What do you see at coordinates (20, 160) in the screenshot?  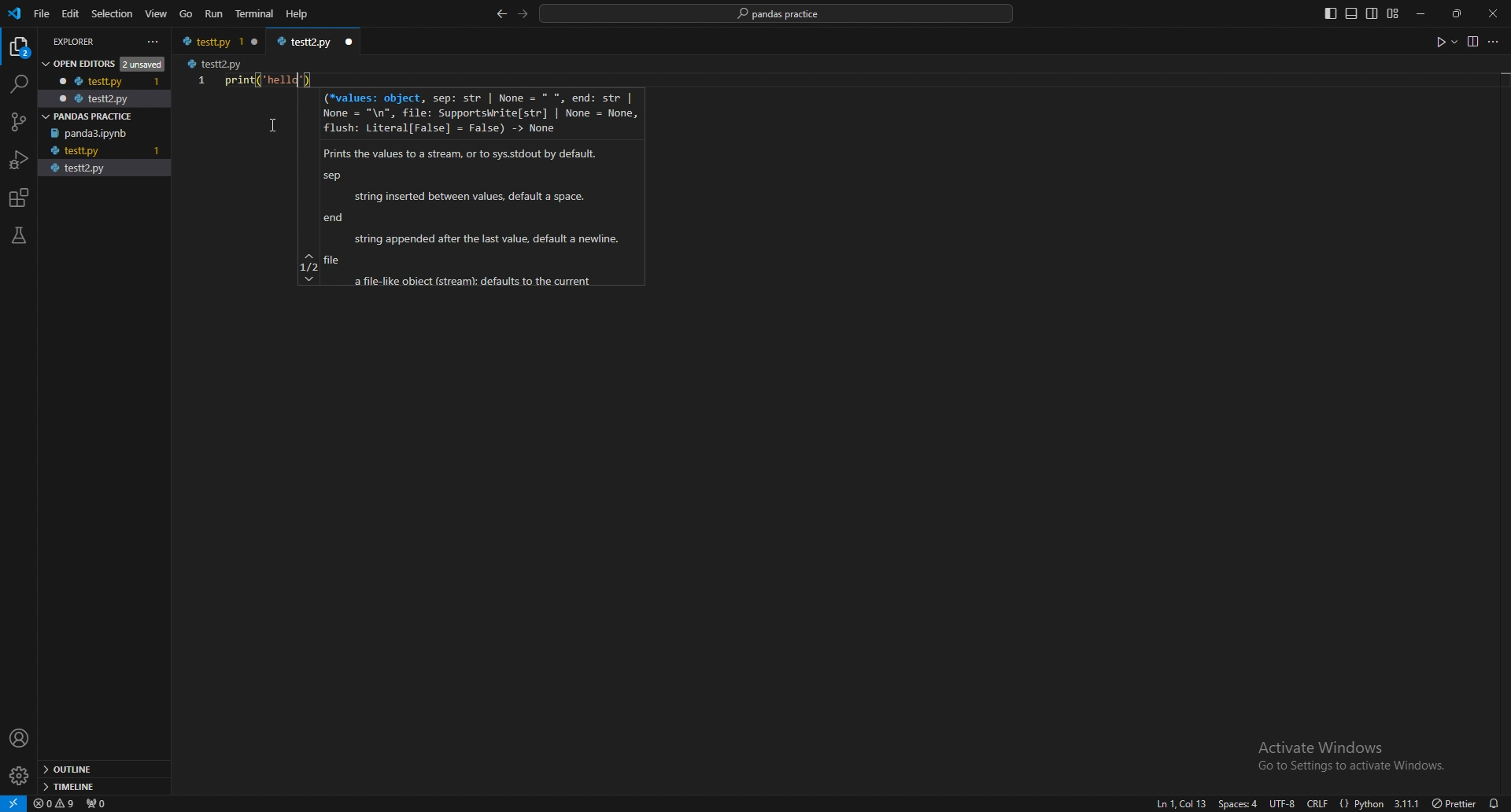 I see `run and debug` at bounding box center [20, 160].